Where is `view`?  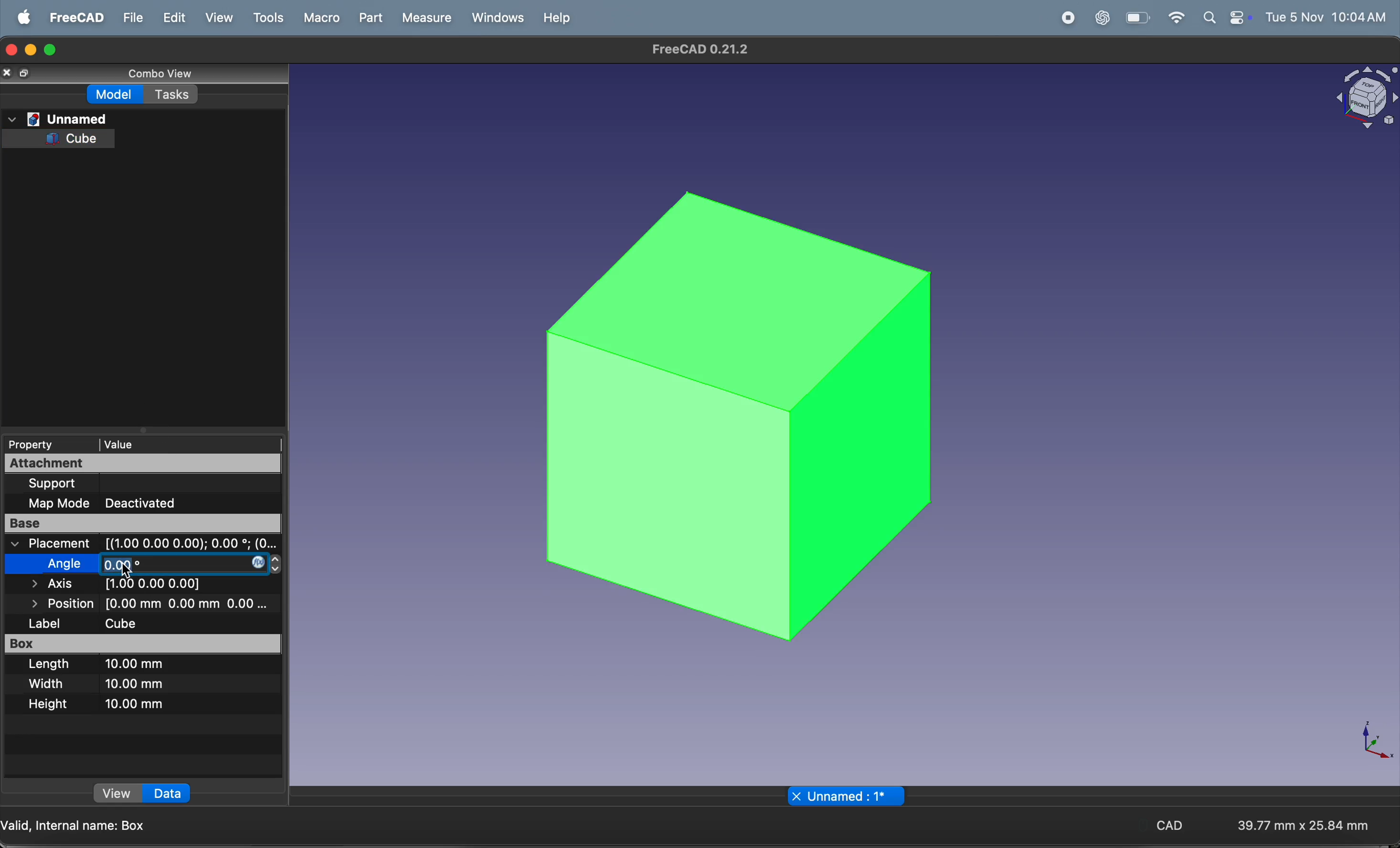
view is located at coordinates (216, 16).